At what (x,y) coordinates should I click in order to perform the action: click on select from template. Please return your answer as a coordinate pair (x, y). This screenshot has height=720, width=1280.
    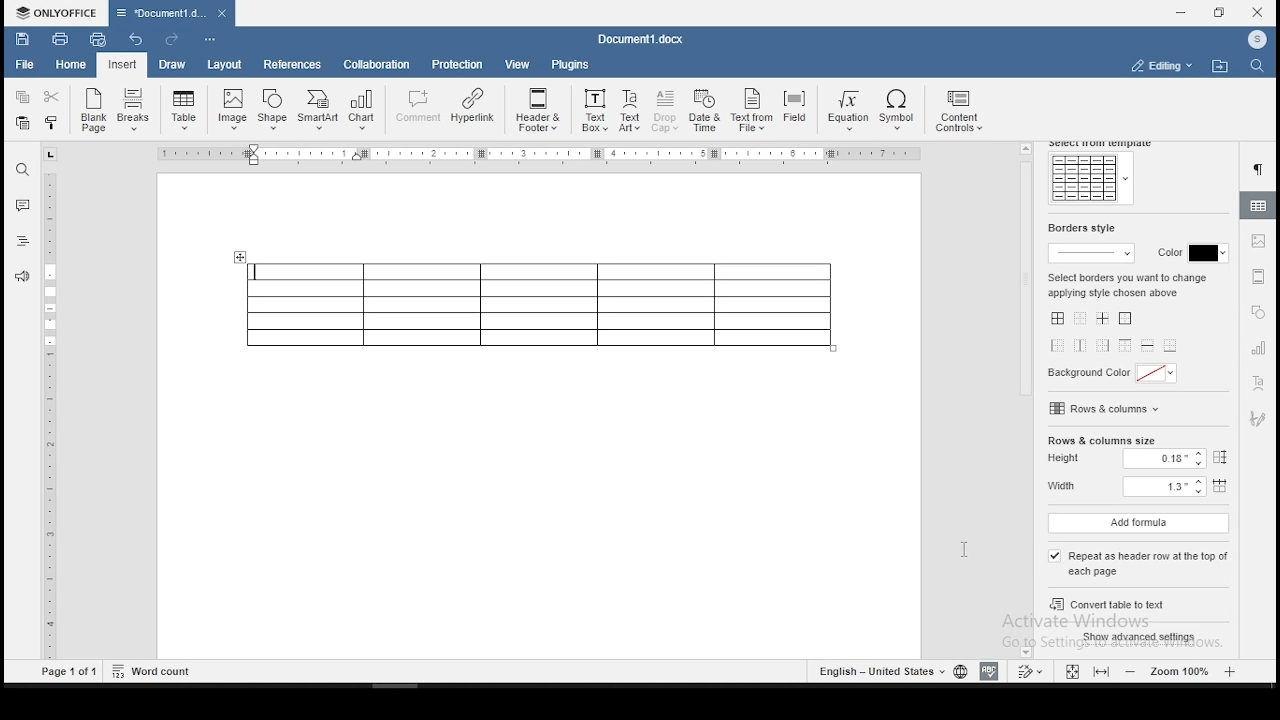
    Looking at the image, I should click on (1103, 144).